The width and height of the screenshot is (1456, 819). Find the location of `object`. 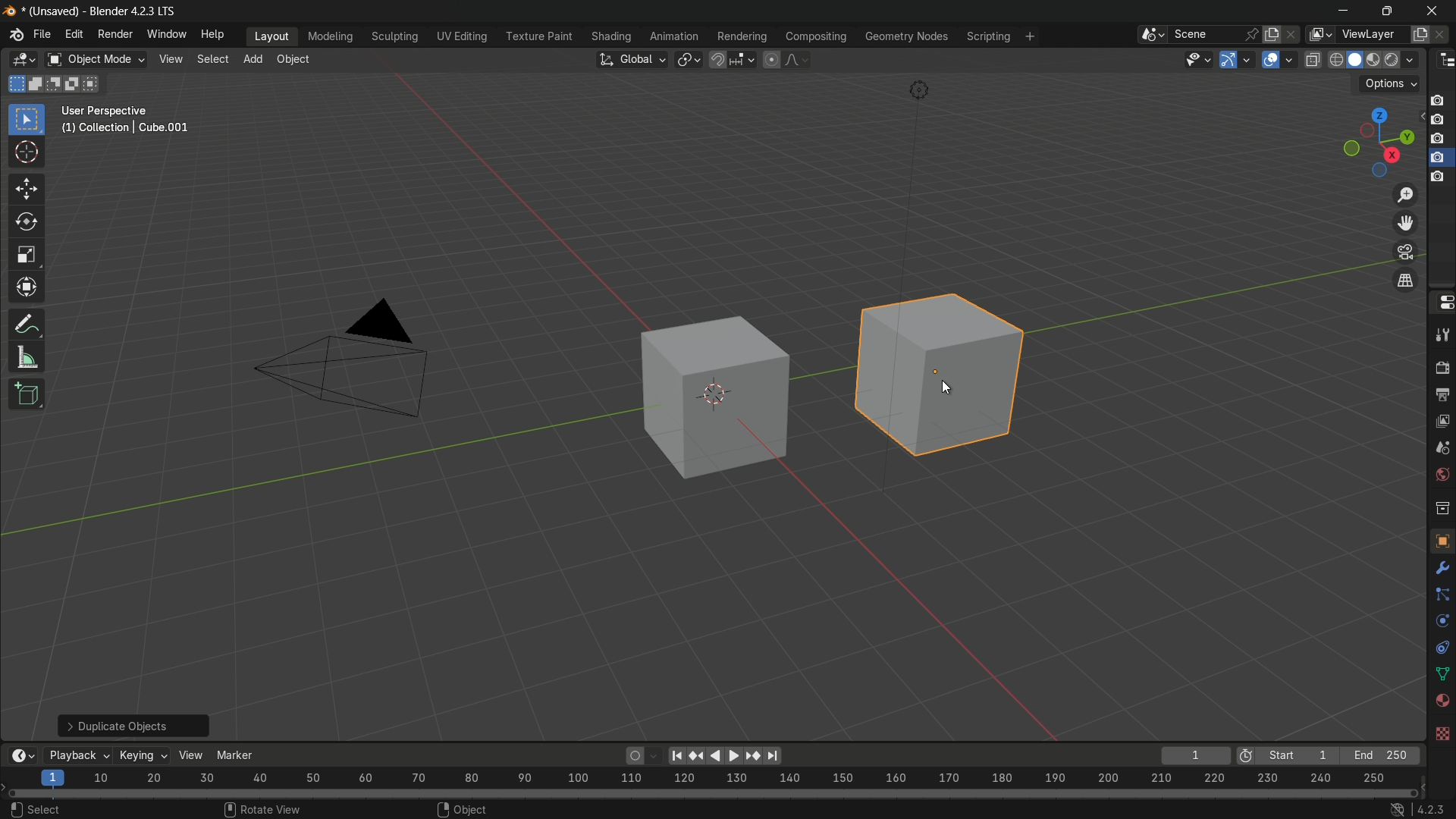

object is located at coordinates (1439, 540).